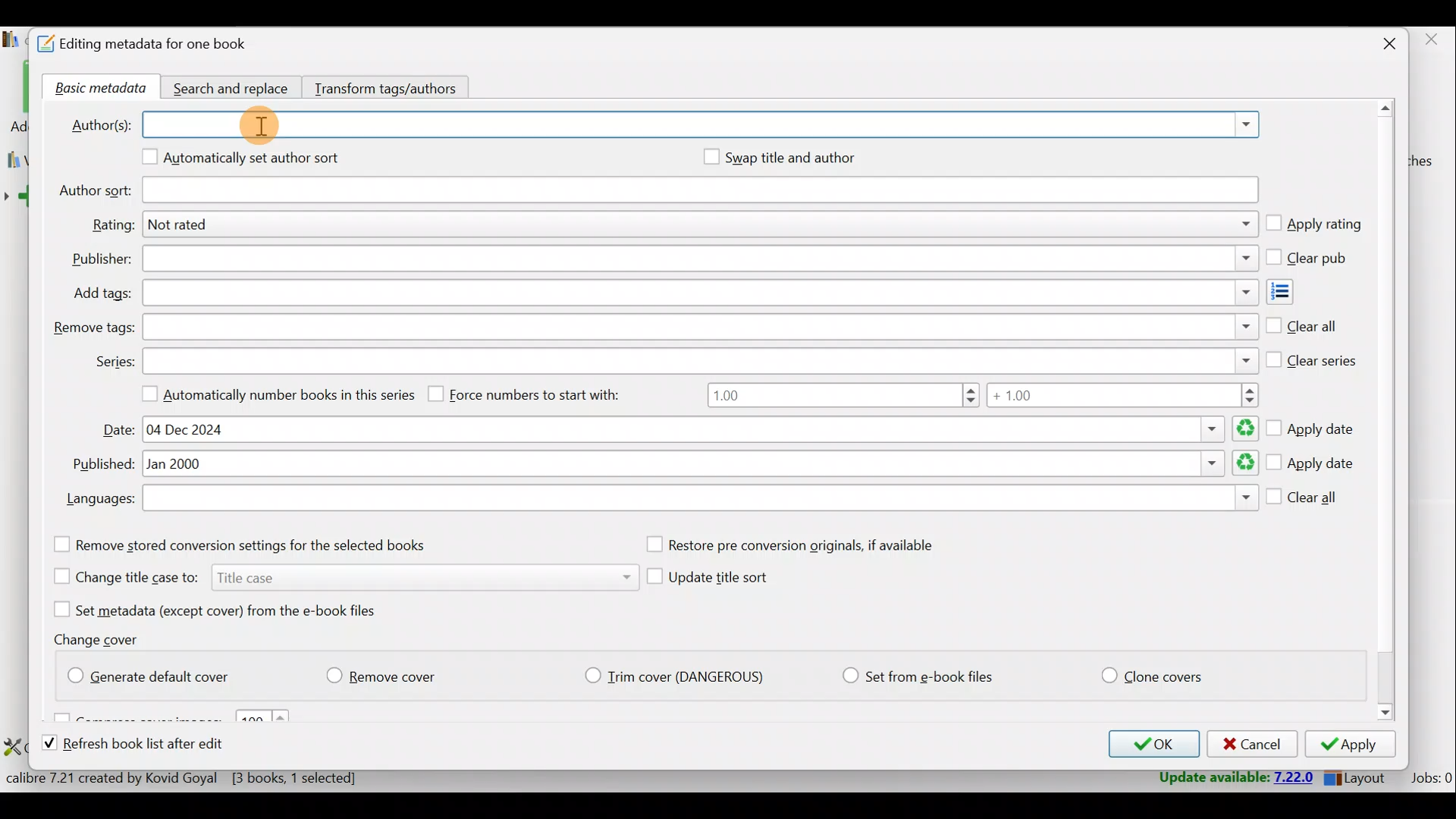 The width and height of the screenshot is (1456, 819). Describe the element at coordinates (102, 293) in the screenshot. I see `Add tags:` at that location.